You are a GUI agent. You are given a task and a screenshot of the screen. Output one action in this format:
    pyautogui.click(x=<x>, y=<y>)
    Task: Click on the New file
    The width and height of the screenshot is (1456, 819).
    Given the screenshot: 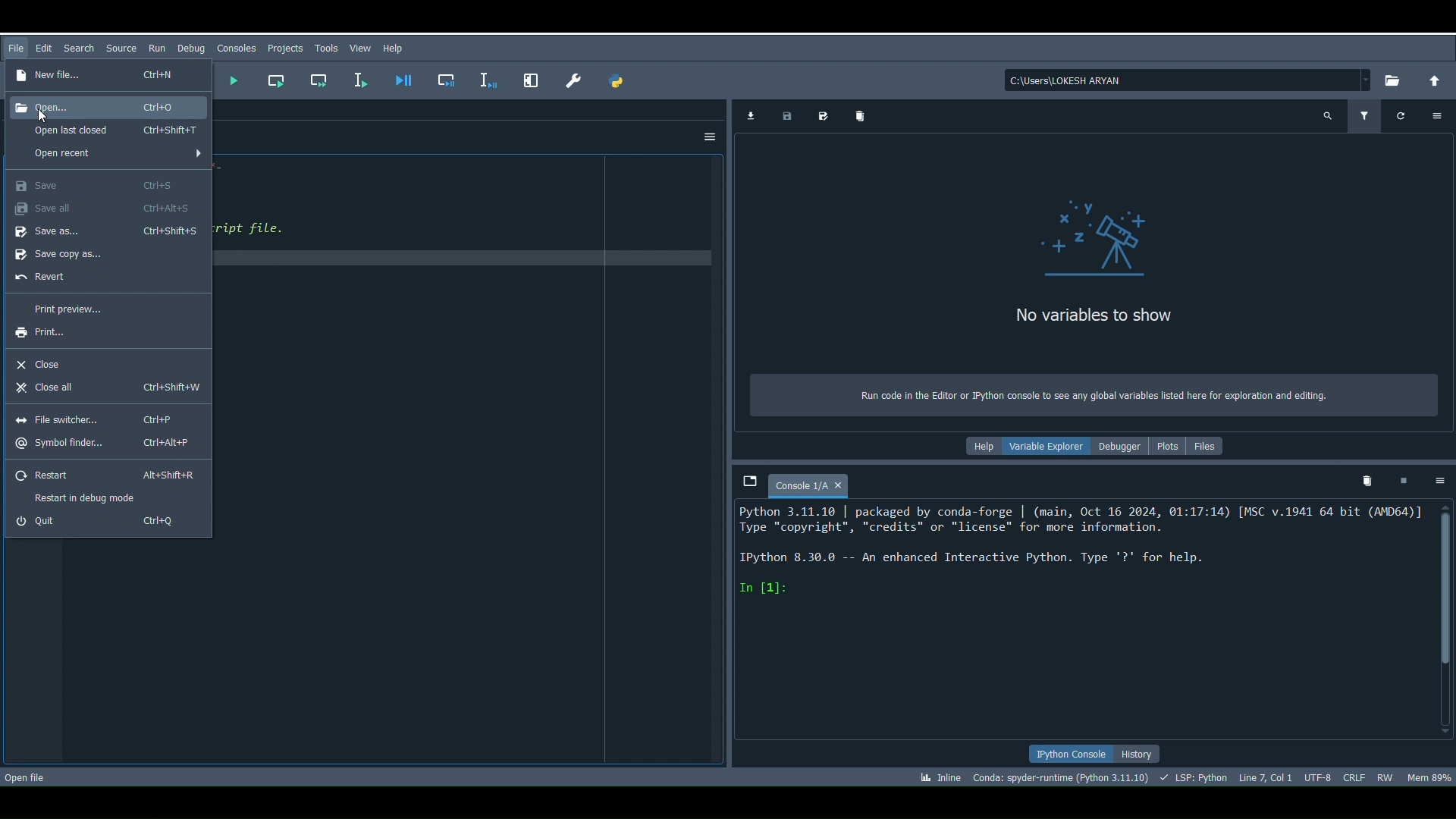 What is the action you would take?
    pyautogui.click(x=97, y=73)
    